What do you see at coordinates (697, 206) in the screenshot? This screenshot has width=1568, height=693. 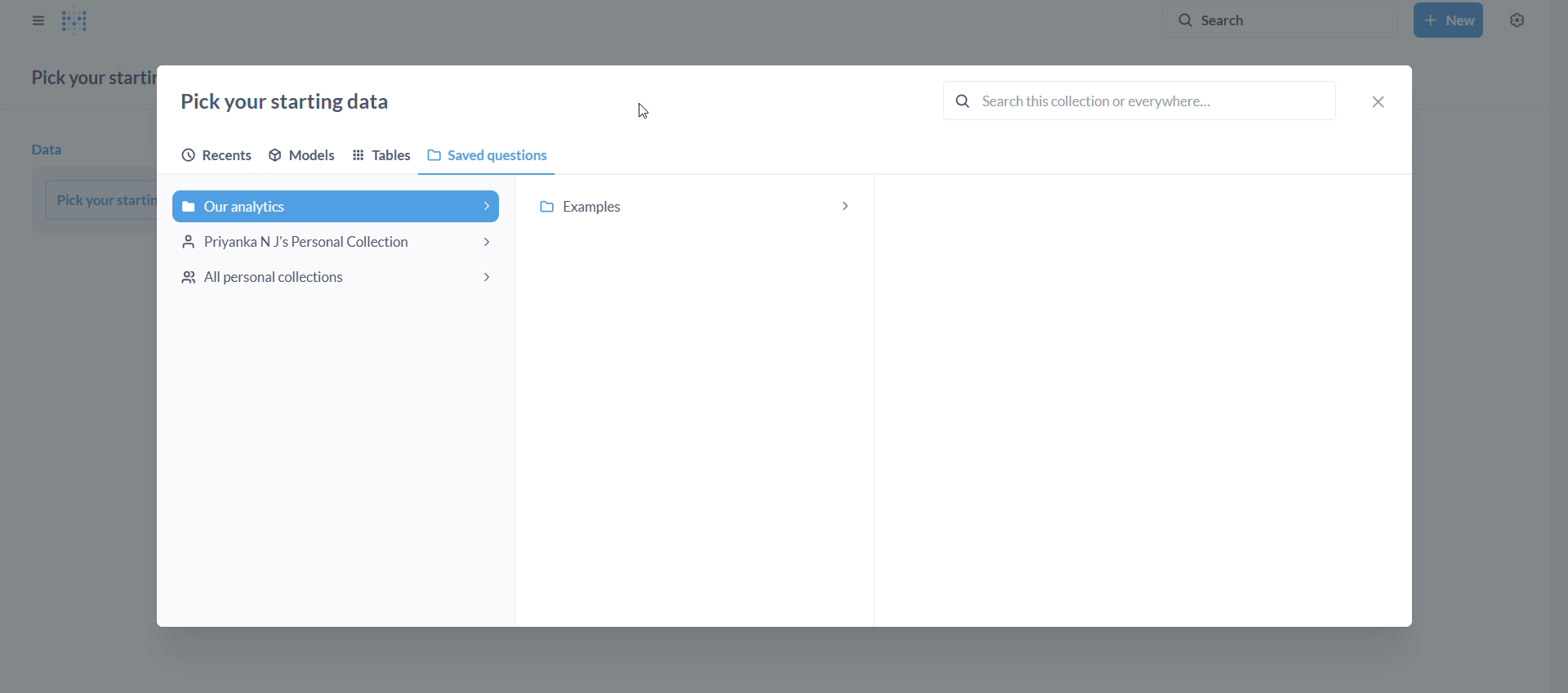 I see `examples` at bounding box center [697, 206].